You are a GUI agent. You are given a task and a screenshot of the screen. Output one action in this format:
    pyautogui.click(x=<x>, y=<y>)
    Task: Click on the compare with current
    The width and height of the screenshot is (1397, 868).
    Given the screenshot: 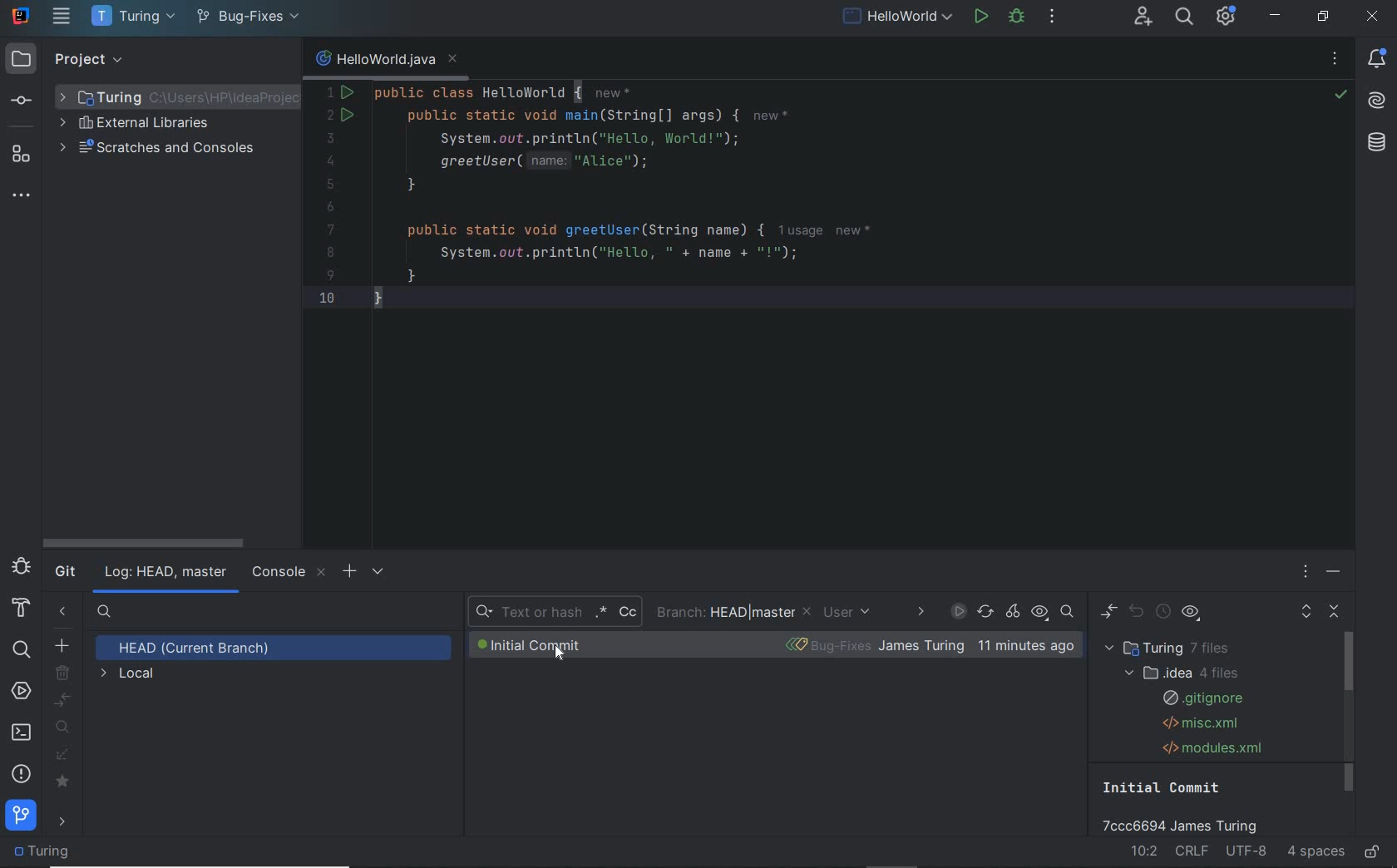 What is the action you would take?
    pyautogui.click(x=64, y=701)
    